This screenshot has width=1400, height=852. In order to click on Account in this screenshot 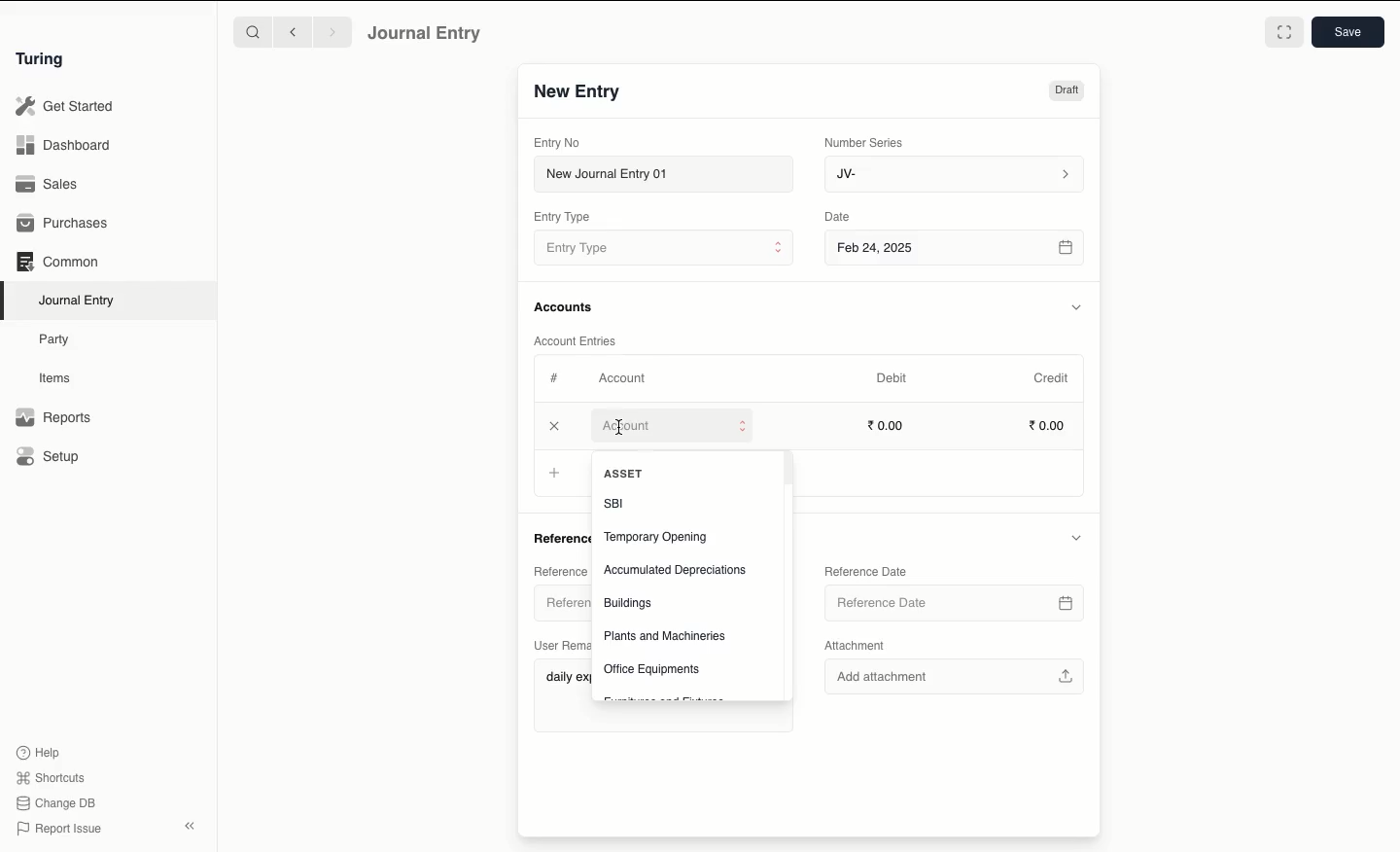, I will do `click(623, 378)`.